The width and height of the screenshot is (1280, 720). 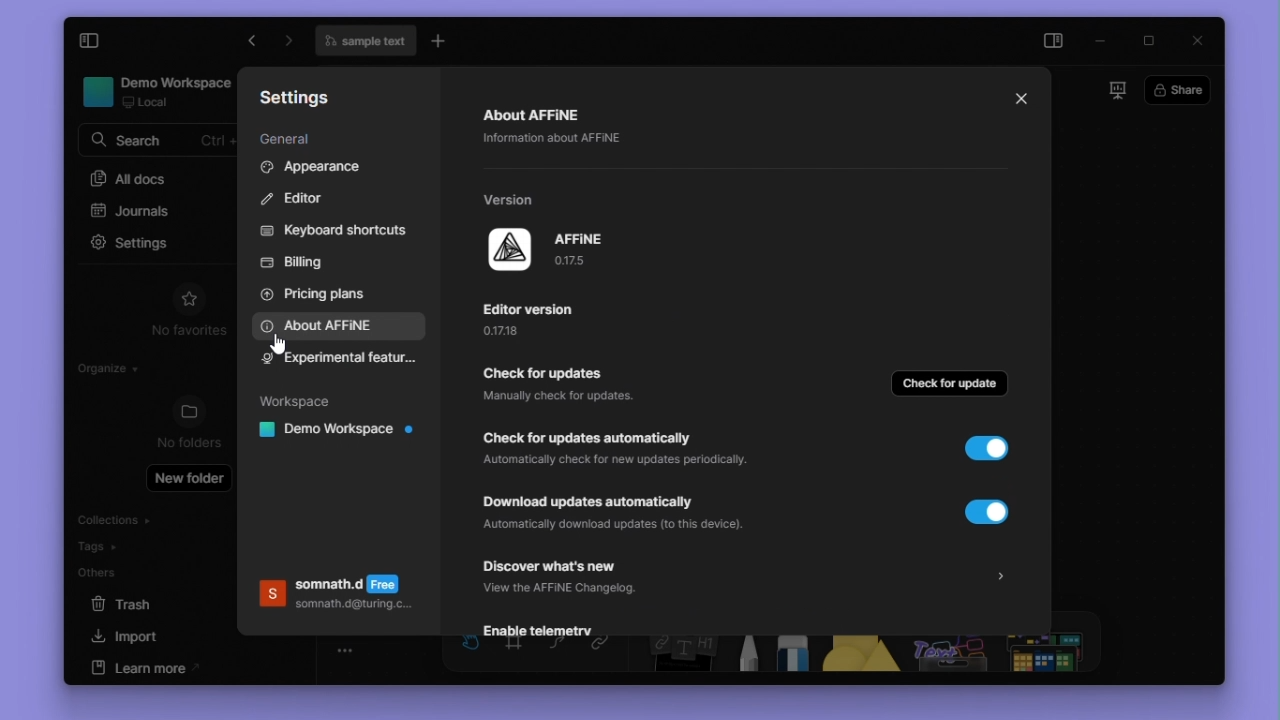 What do you see at coordinates (992, 451) in the screenshot?
I see `toggle button (ON)` at bounding box center [992, 451].